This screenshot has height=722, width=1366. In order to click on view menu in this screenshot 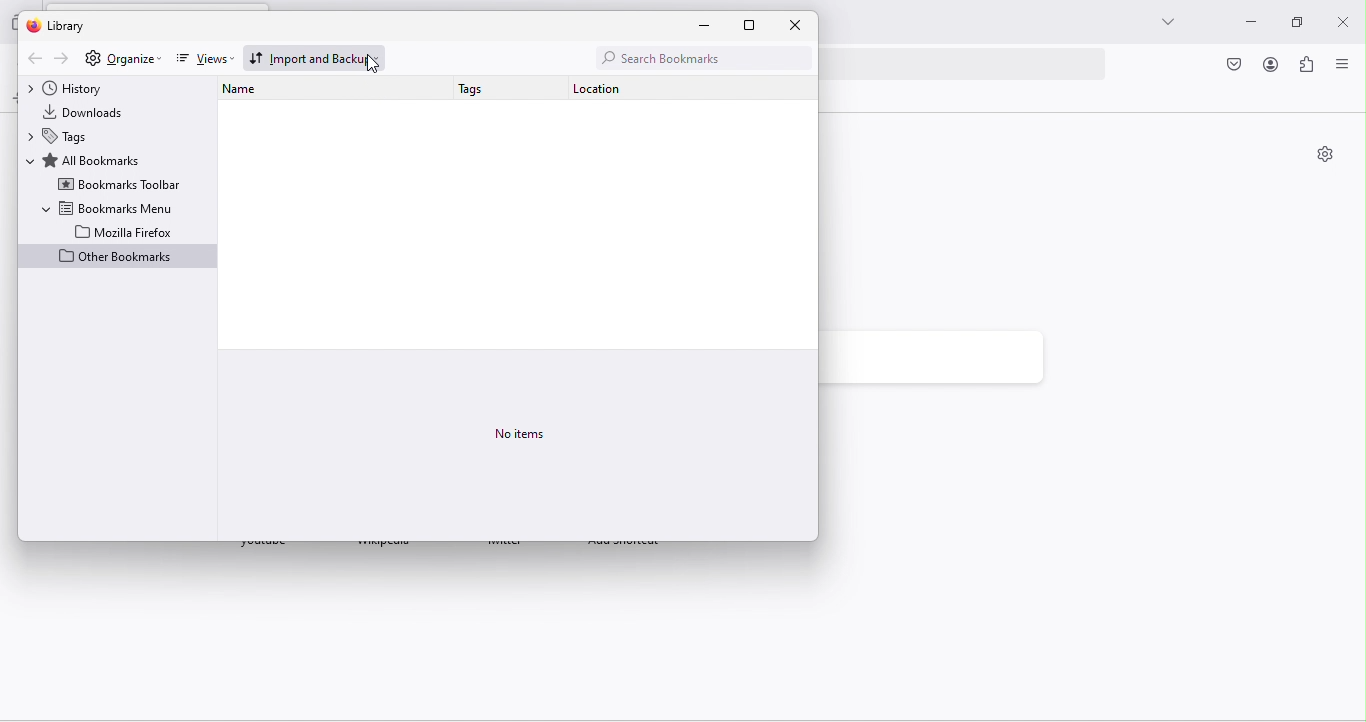, I will do `click(1341, 65)`.